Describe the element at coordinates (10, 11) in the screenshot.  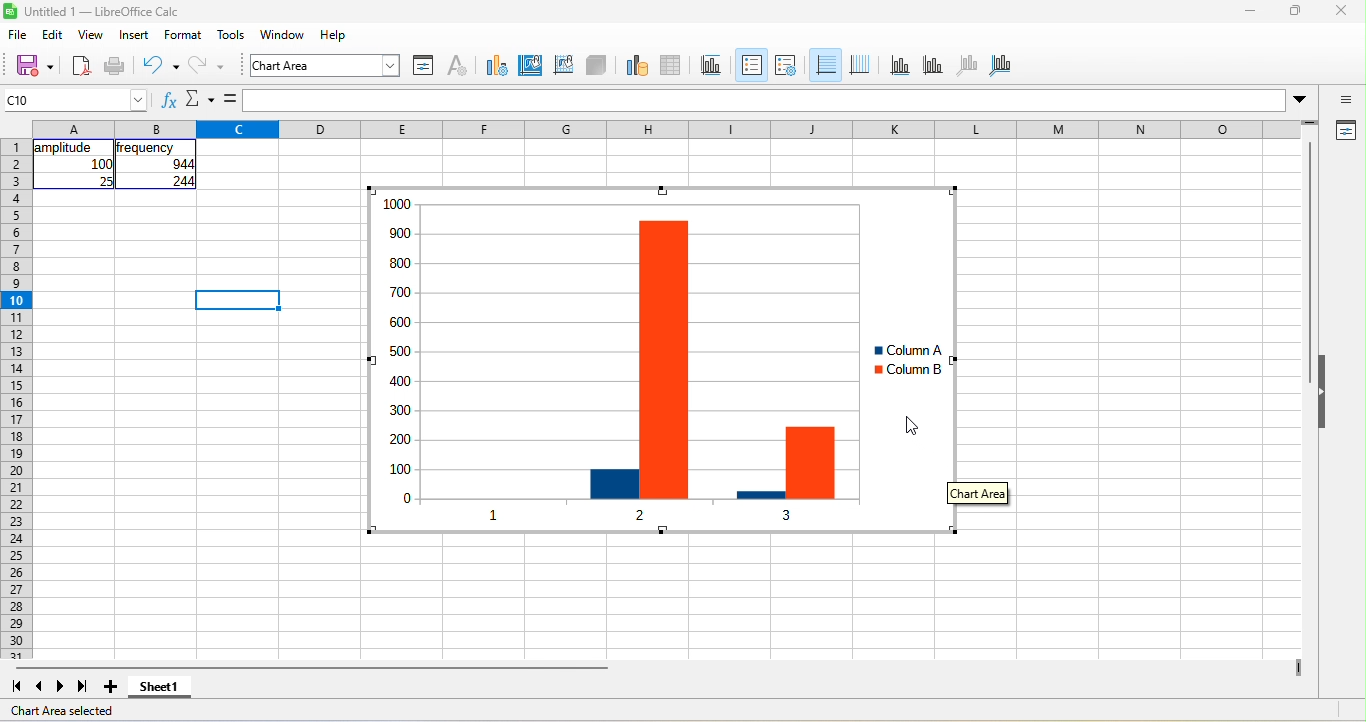
I see `Software logo` at that location.